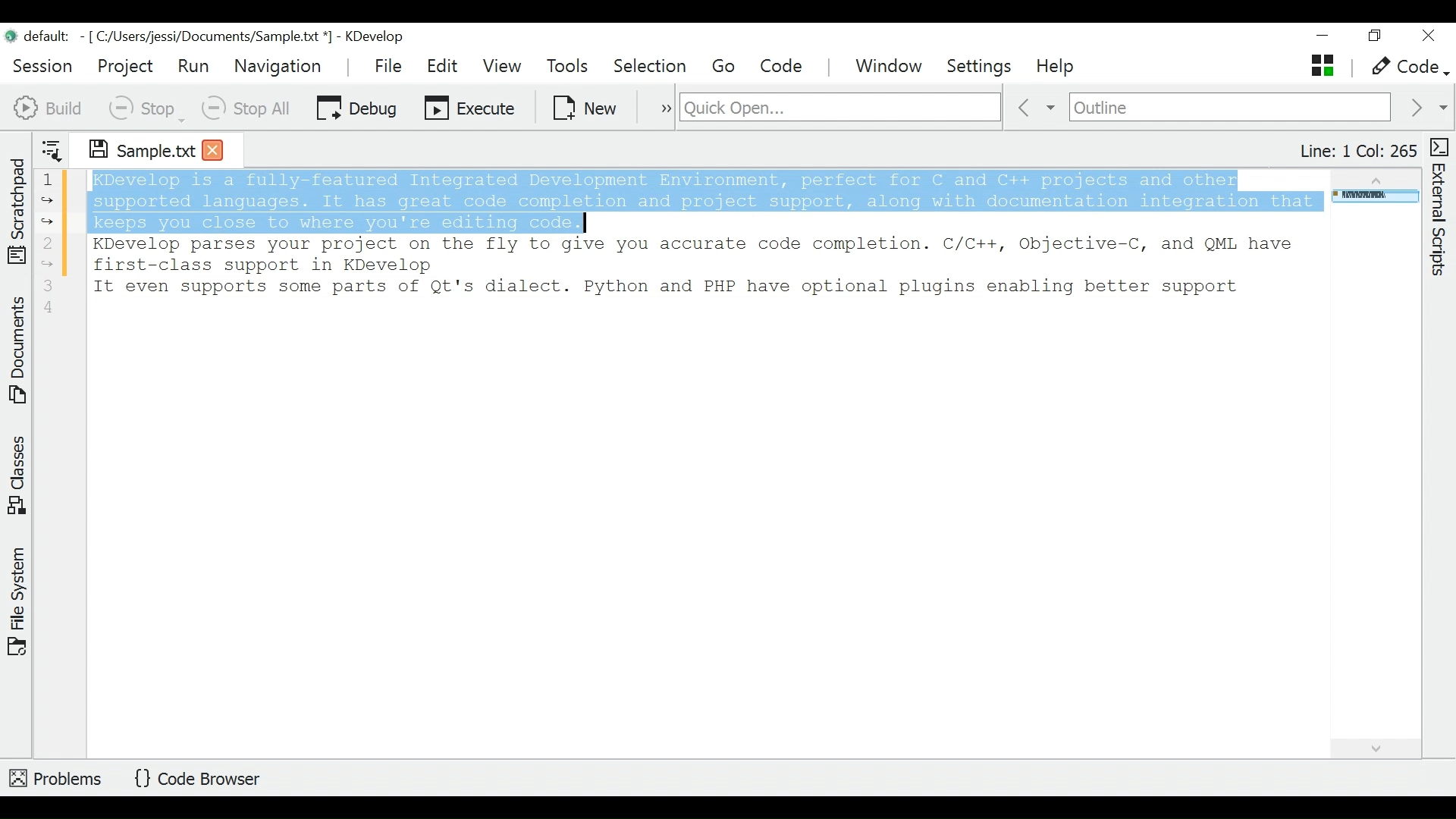 The width and height of the screenshot is (1456, 819). What do you see at coordinates (391, 65) in the screenshot?
I see `File` at bounding box center [391, 65].